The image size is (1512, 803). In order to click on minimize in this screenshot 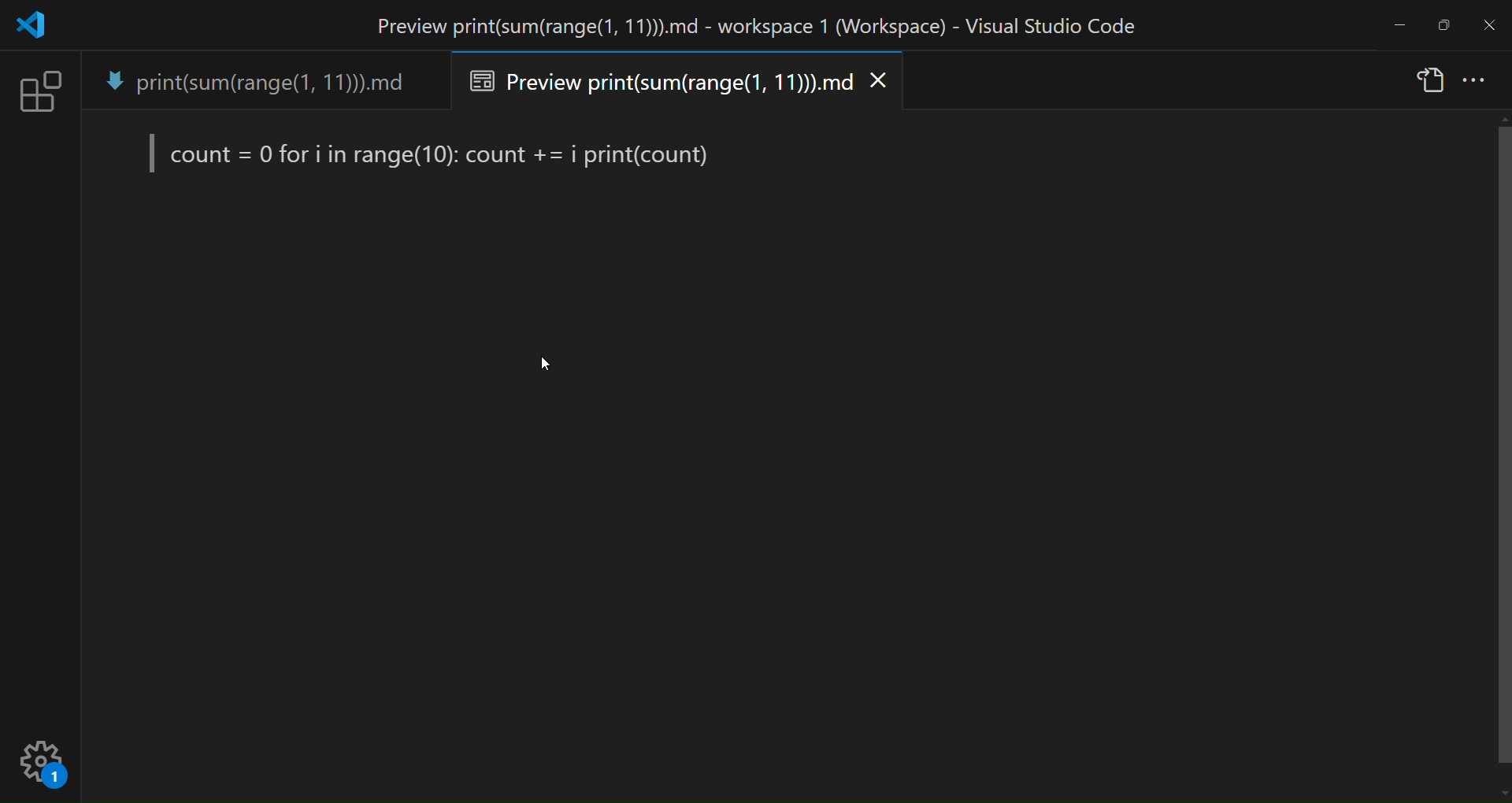, I will do `click(1399, 24)`.